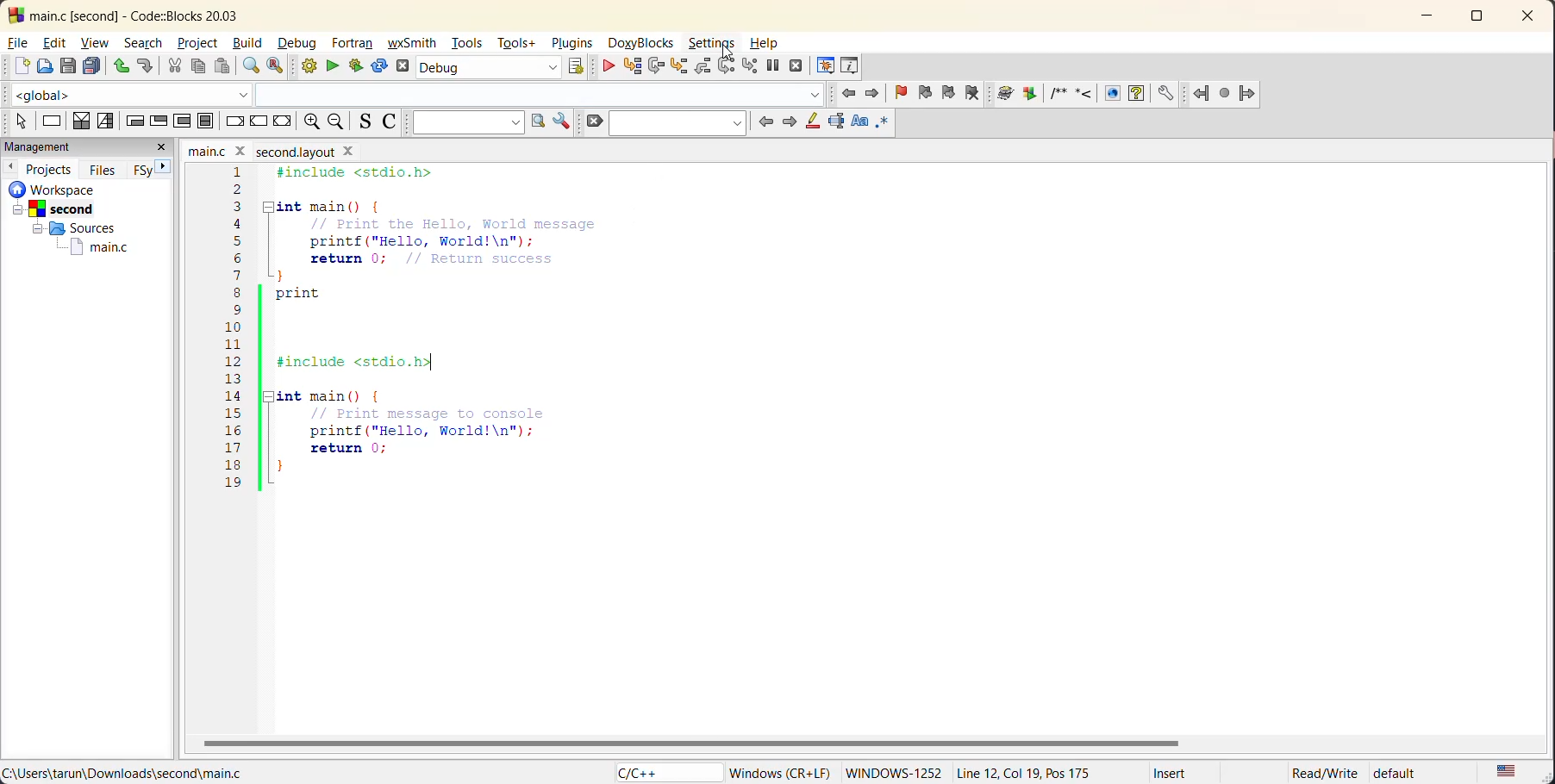 This screenshot has width=1555, height=784. What do you see at coordinates (1477, 22) in the screenshot?
I see `maximize` at bounding box center [1477, 22].